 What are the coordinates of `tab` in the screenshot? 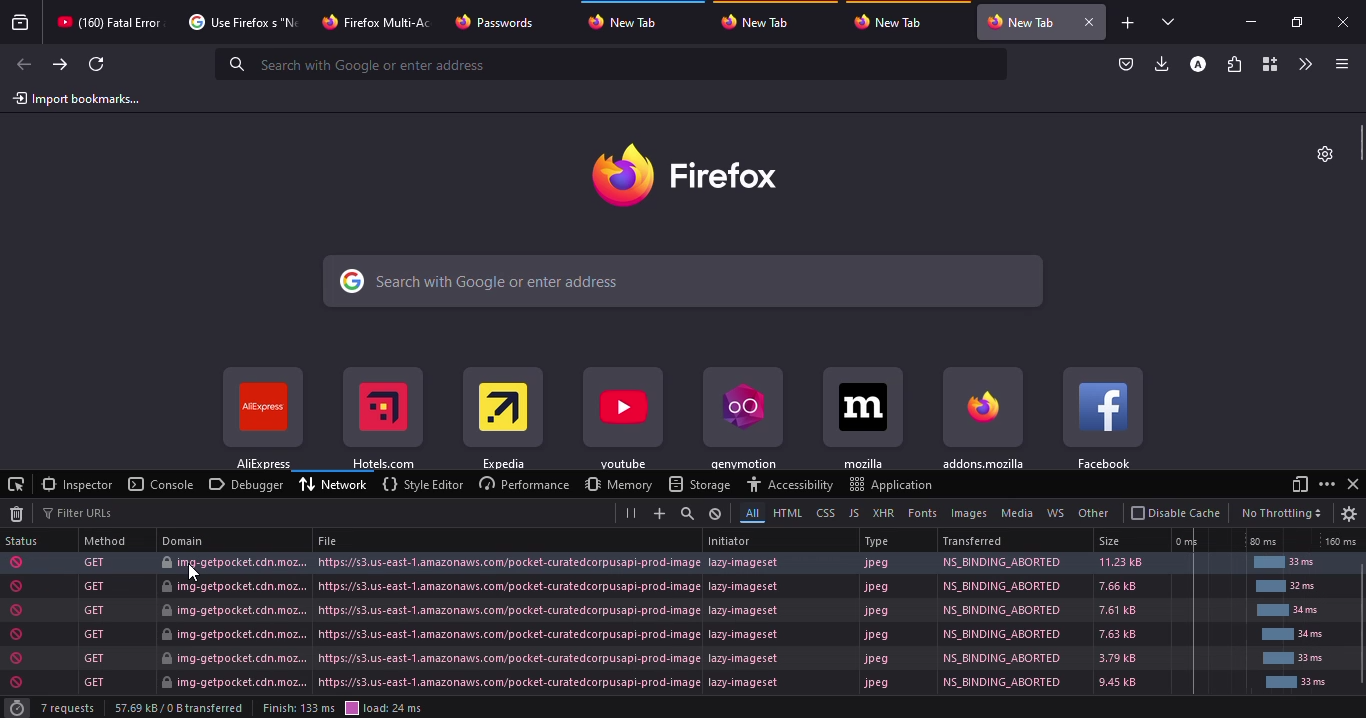 It's located at (245, 21).